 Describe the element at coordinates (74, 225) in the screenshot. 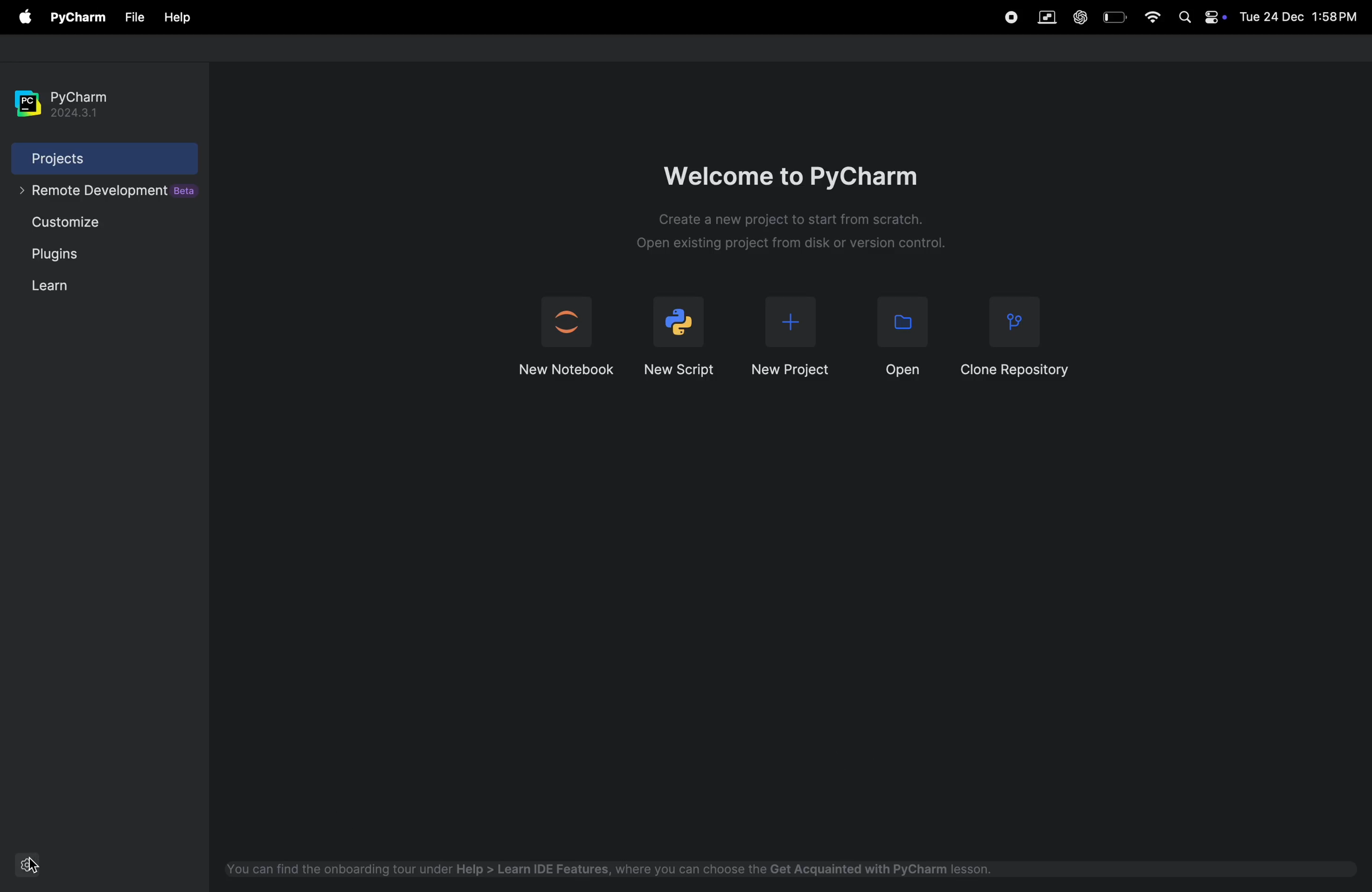

I see `Customize` at that location.